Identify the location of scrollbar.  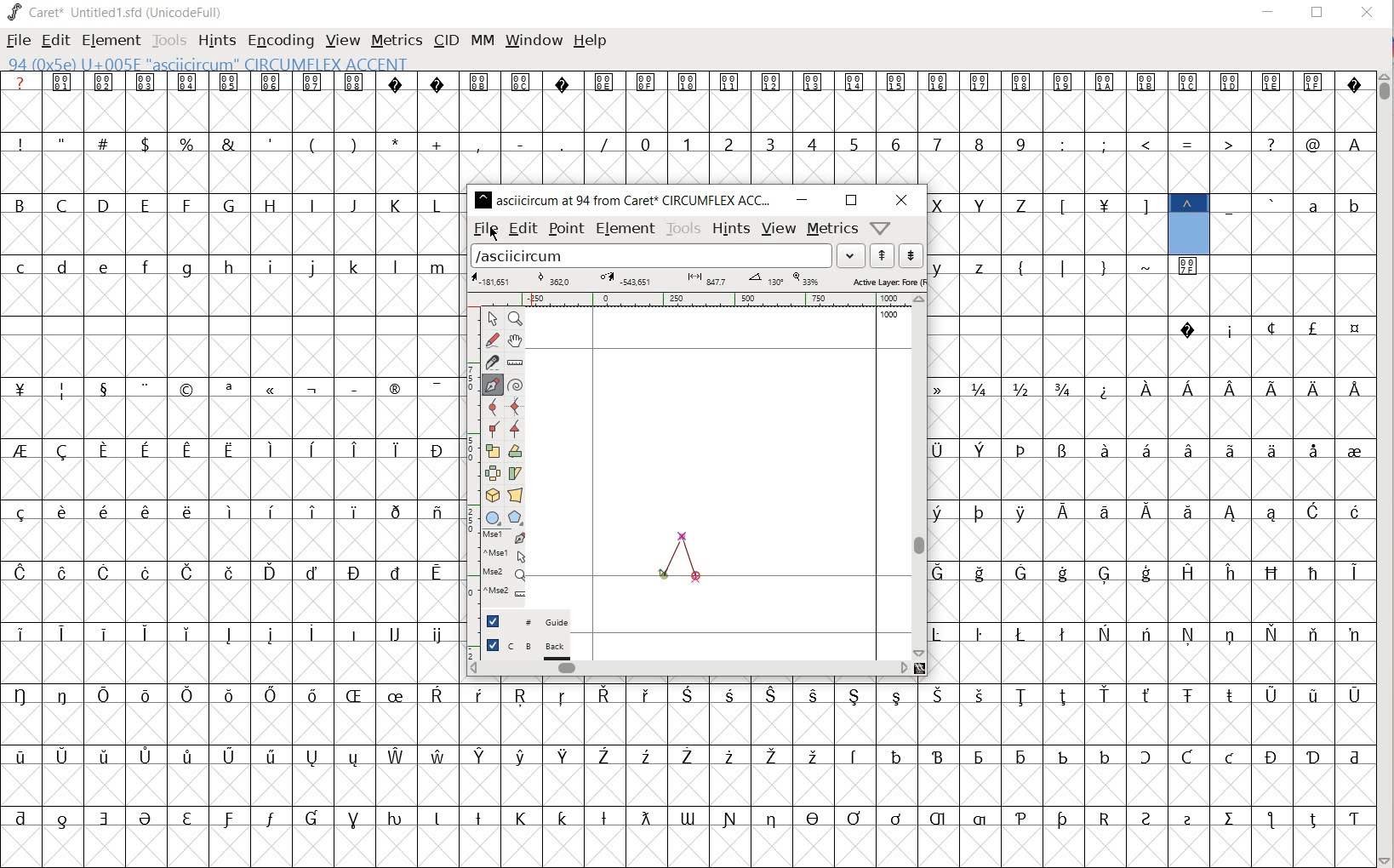
(687, 667).